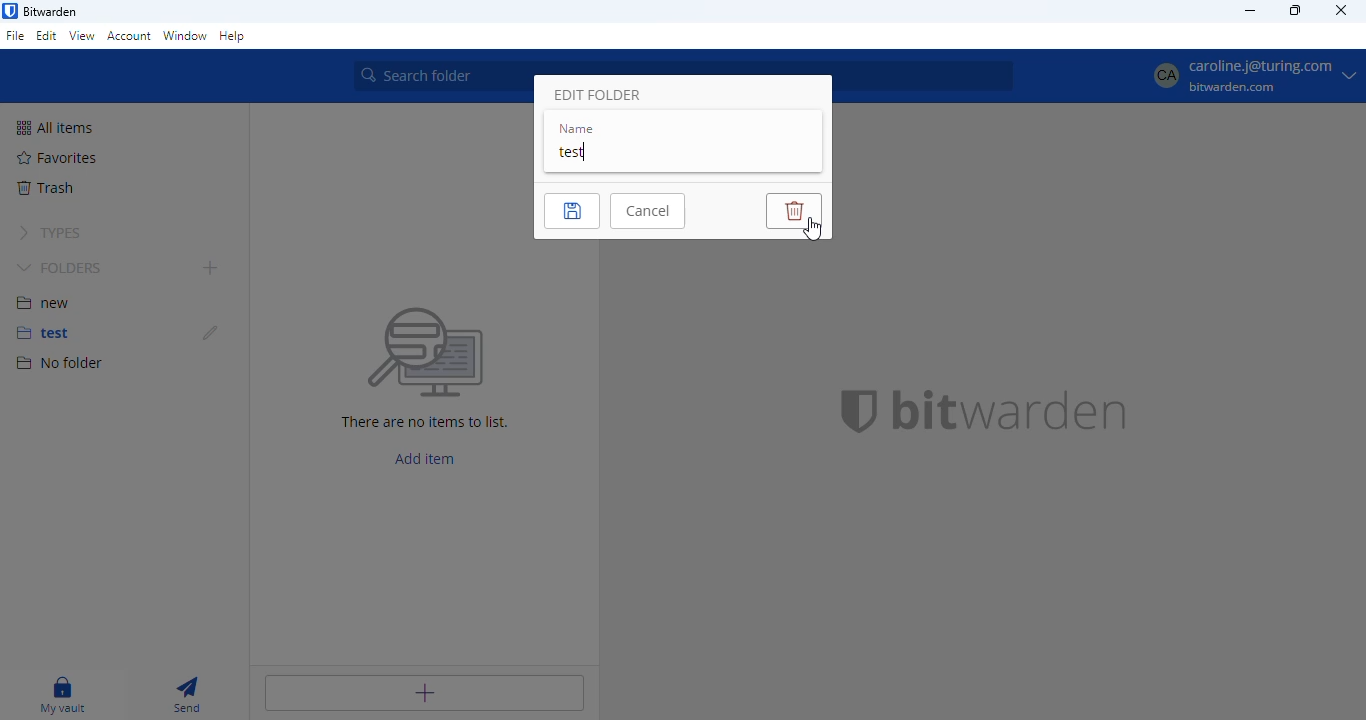 The height and width of the screenshot is (720, 1366). Describe the element at coordinates (61, 268) in the screenshot. I see `folders` at that location.